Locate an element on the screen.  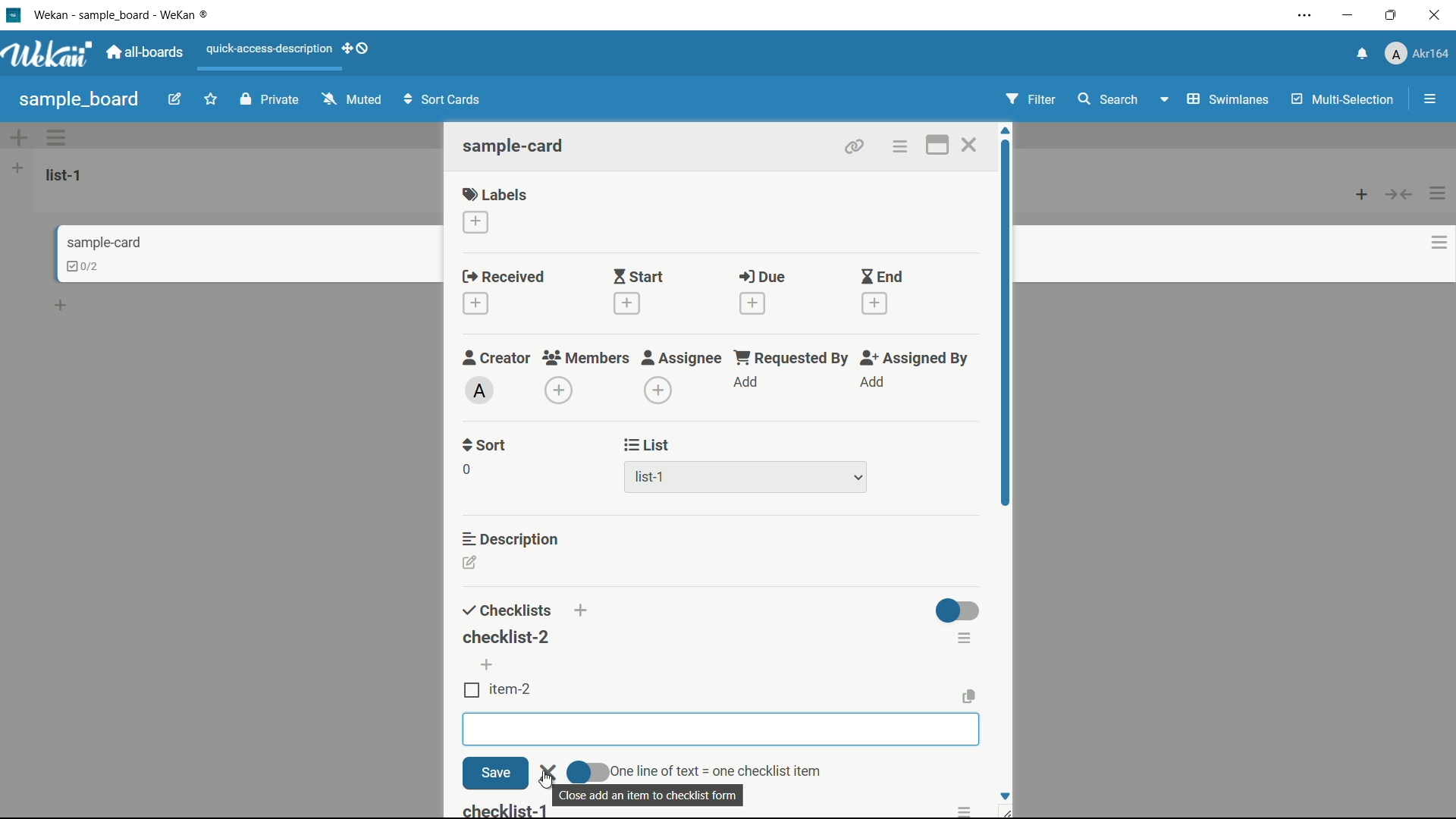
copy link to clipboard is located at coordinates (852, 146).